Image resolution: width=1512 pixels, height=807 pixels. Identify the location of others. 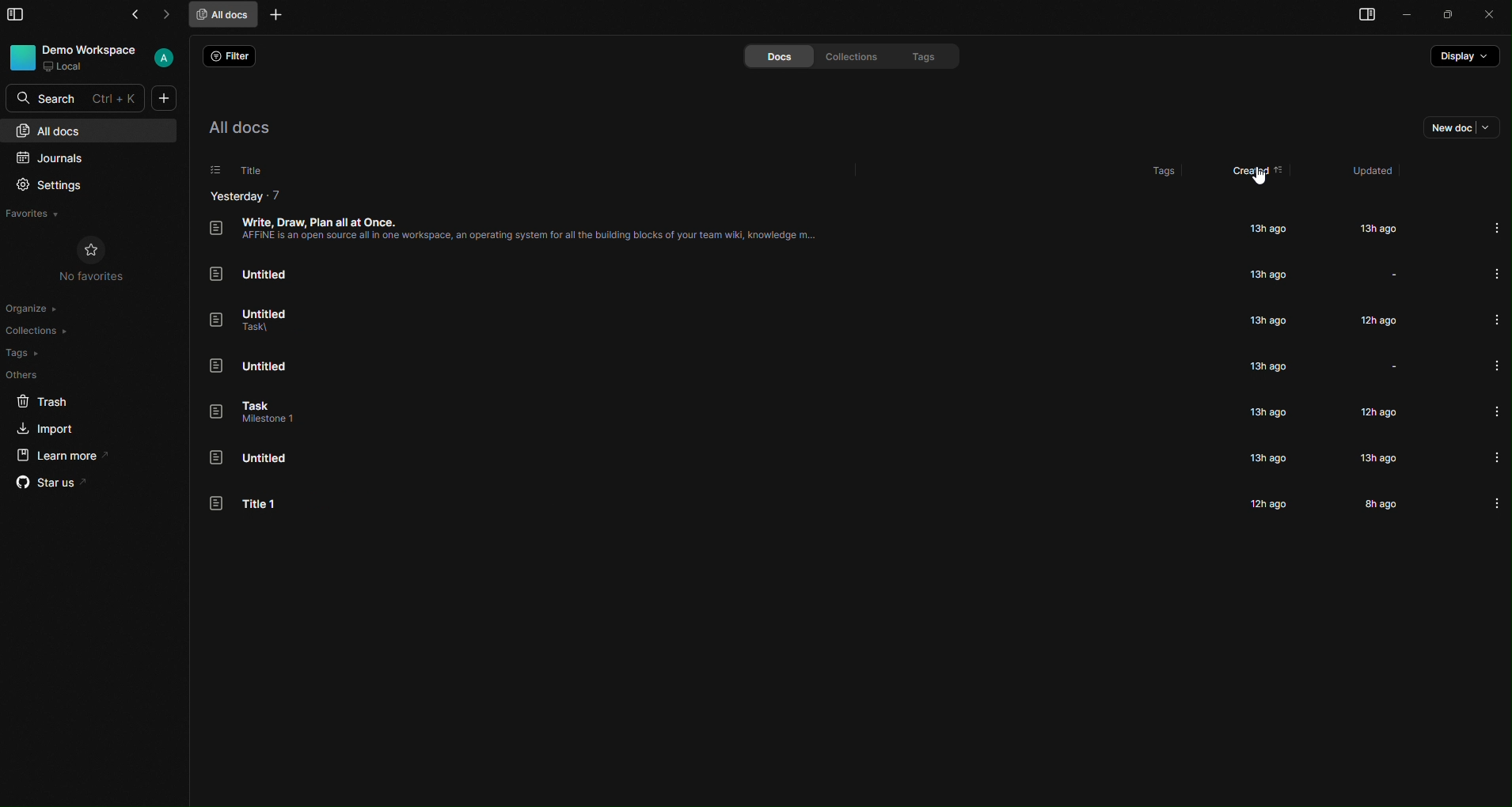
(25, 376).